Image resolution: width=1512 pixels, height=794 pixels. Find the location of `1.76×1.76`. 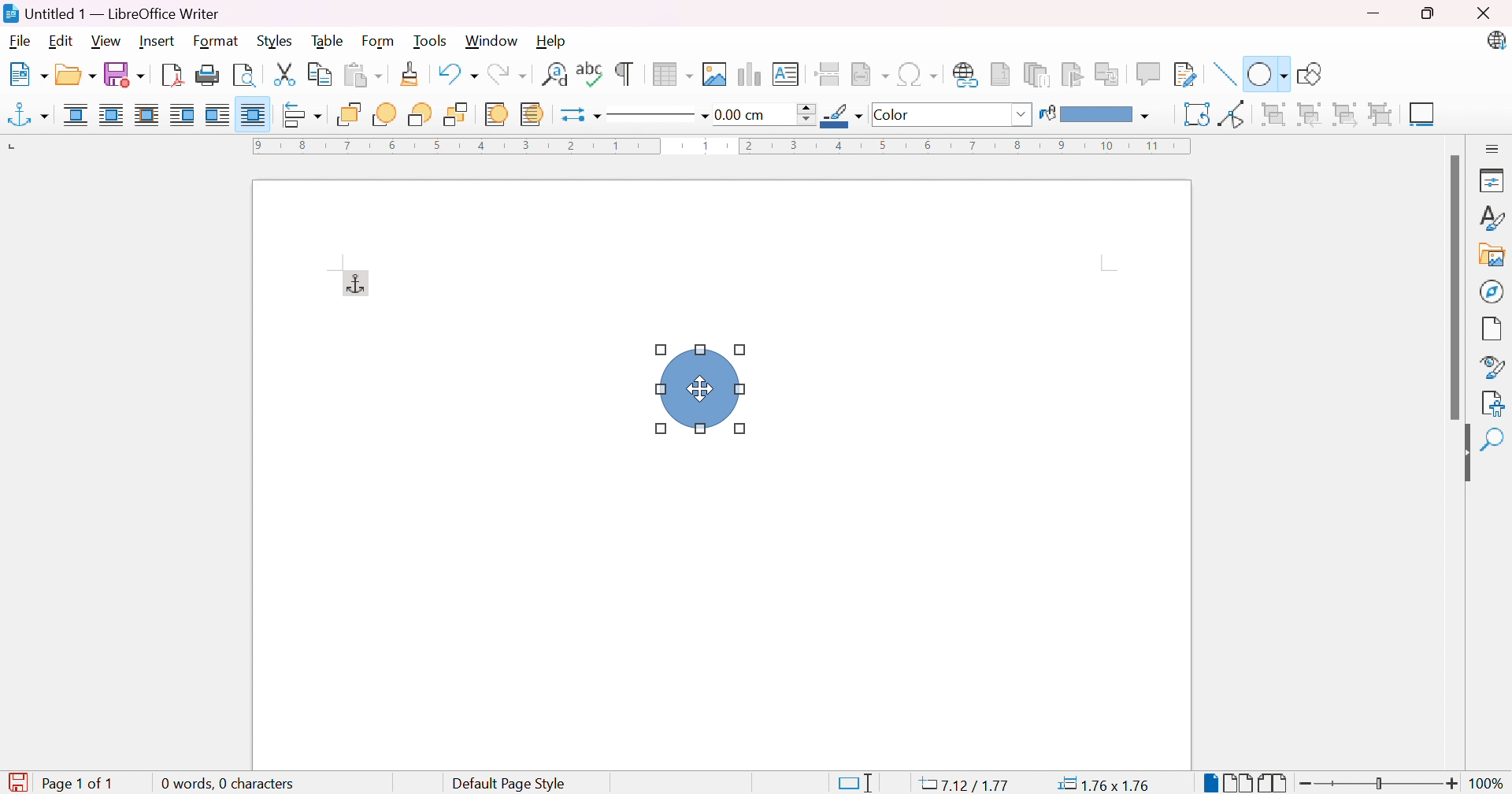

1.76×1.76 is located at coordinates (1106, 783).